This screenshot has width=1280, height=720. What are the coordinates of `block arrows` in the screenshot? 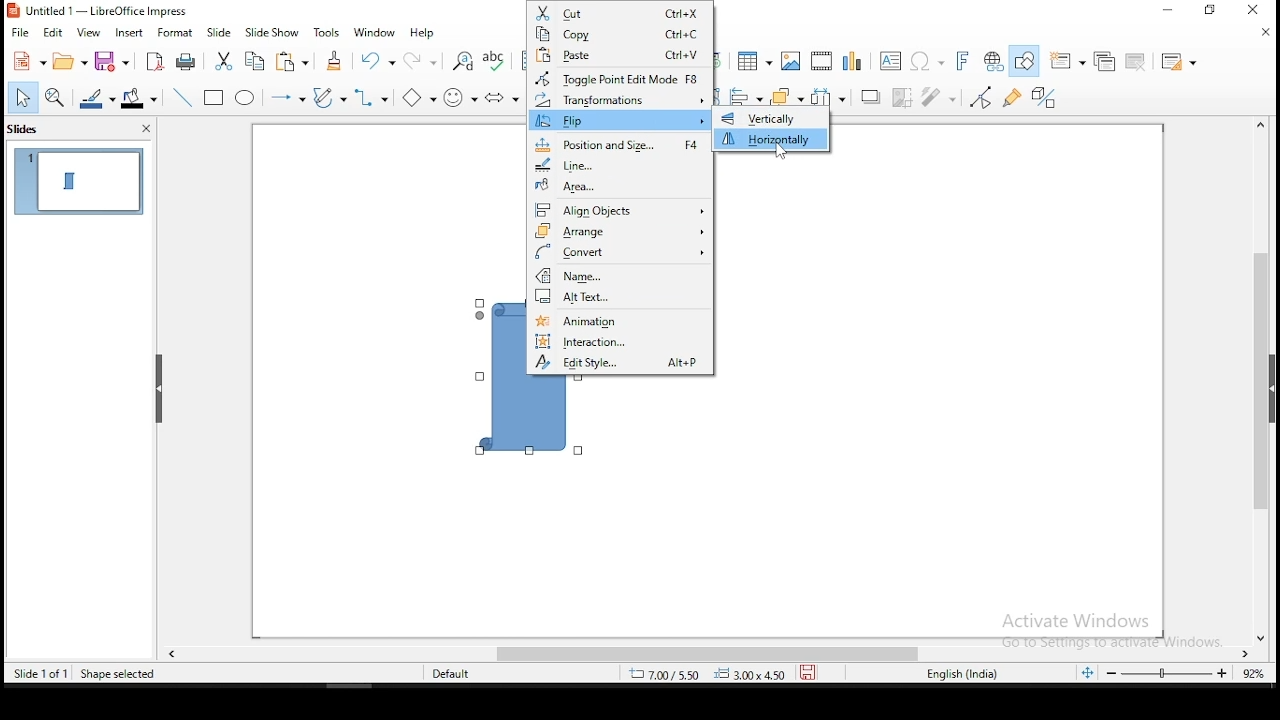 It's located at (499, 98).